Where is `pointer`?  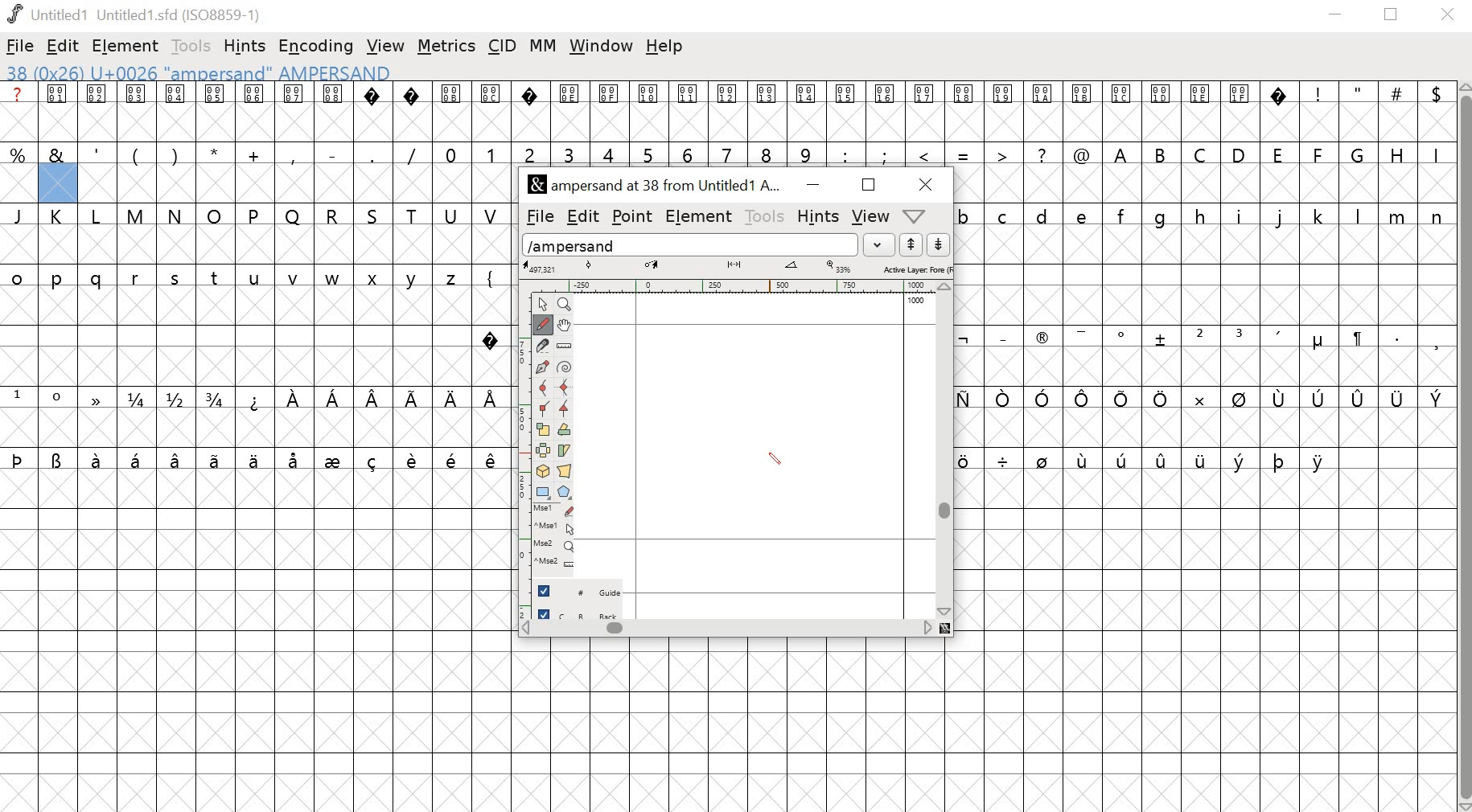
pointer is located at coordinates (541, 303).